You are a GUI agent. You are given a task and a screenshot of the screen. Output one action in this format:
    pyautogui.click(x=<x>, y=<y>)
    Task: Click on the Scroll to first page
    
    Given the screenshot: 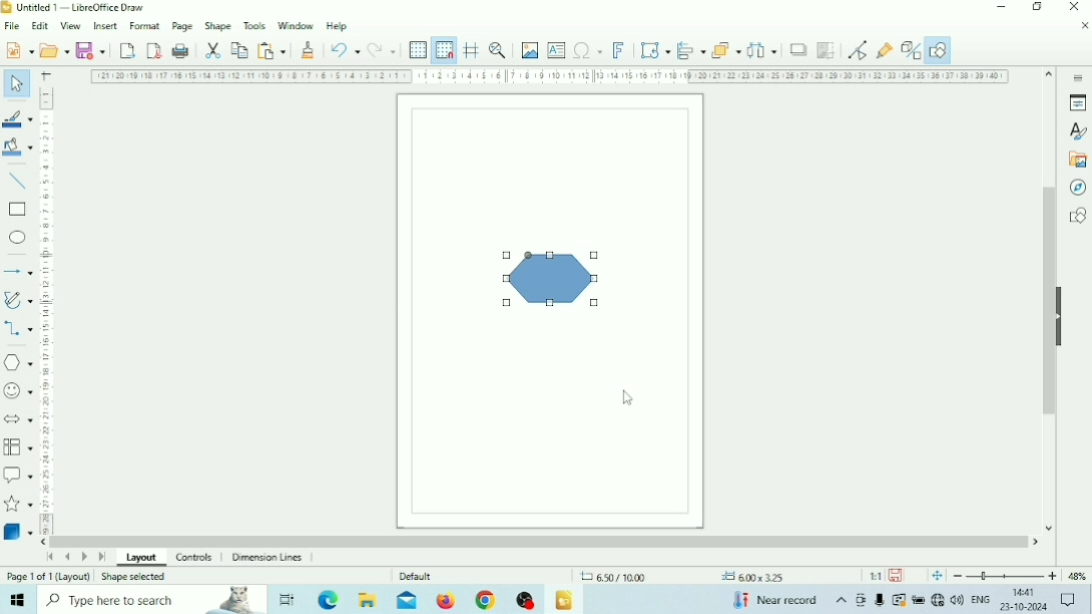 What is the action you would take?
    pyautogui.click(x=49, y=556)
    